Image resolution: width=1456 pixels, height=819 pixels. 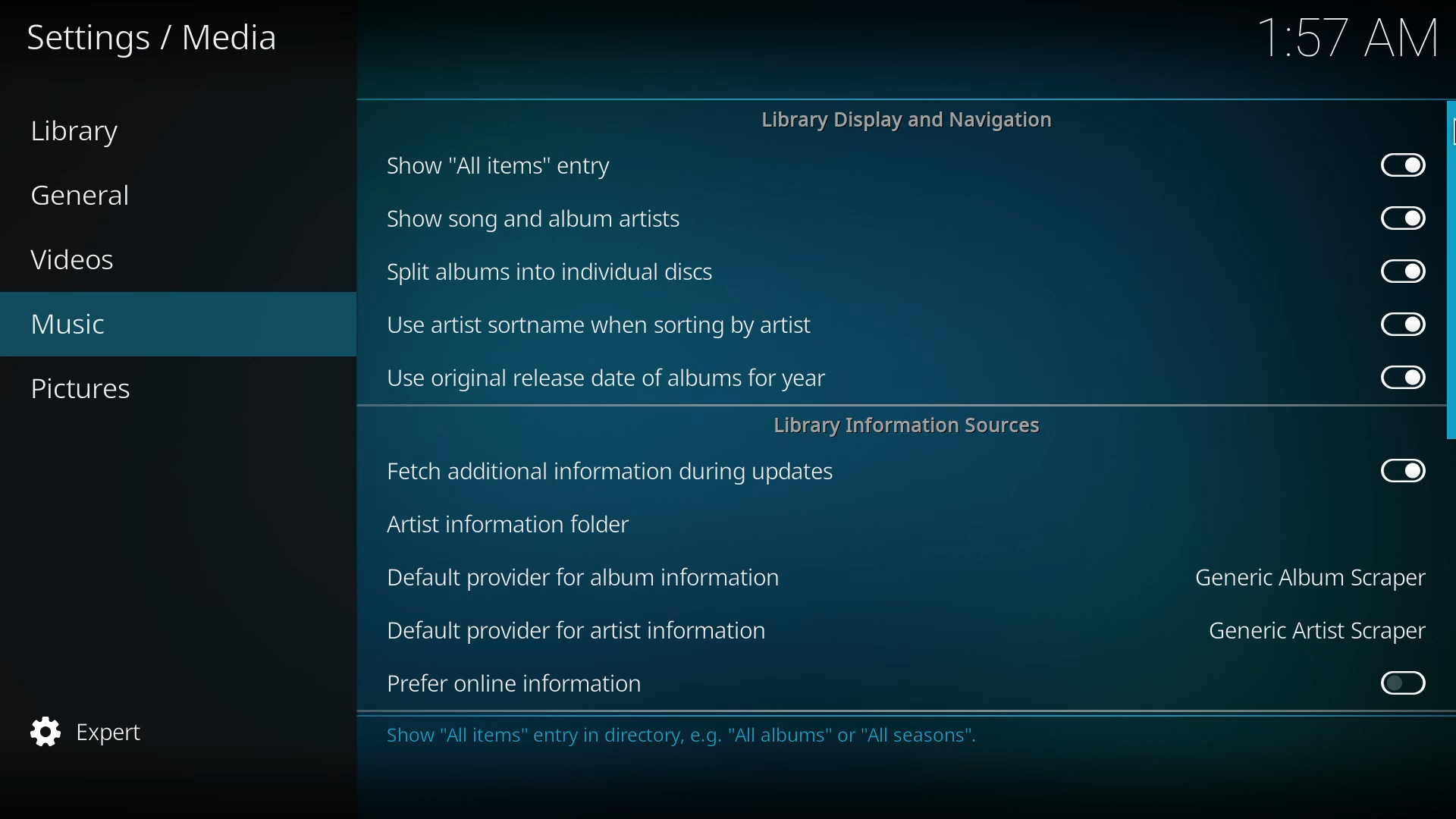 What do you see at coordinates (1395, 217) in the screenshot?
I see `enabled` at bounding box center [1395, 217].